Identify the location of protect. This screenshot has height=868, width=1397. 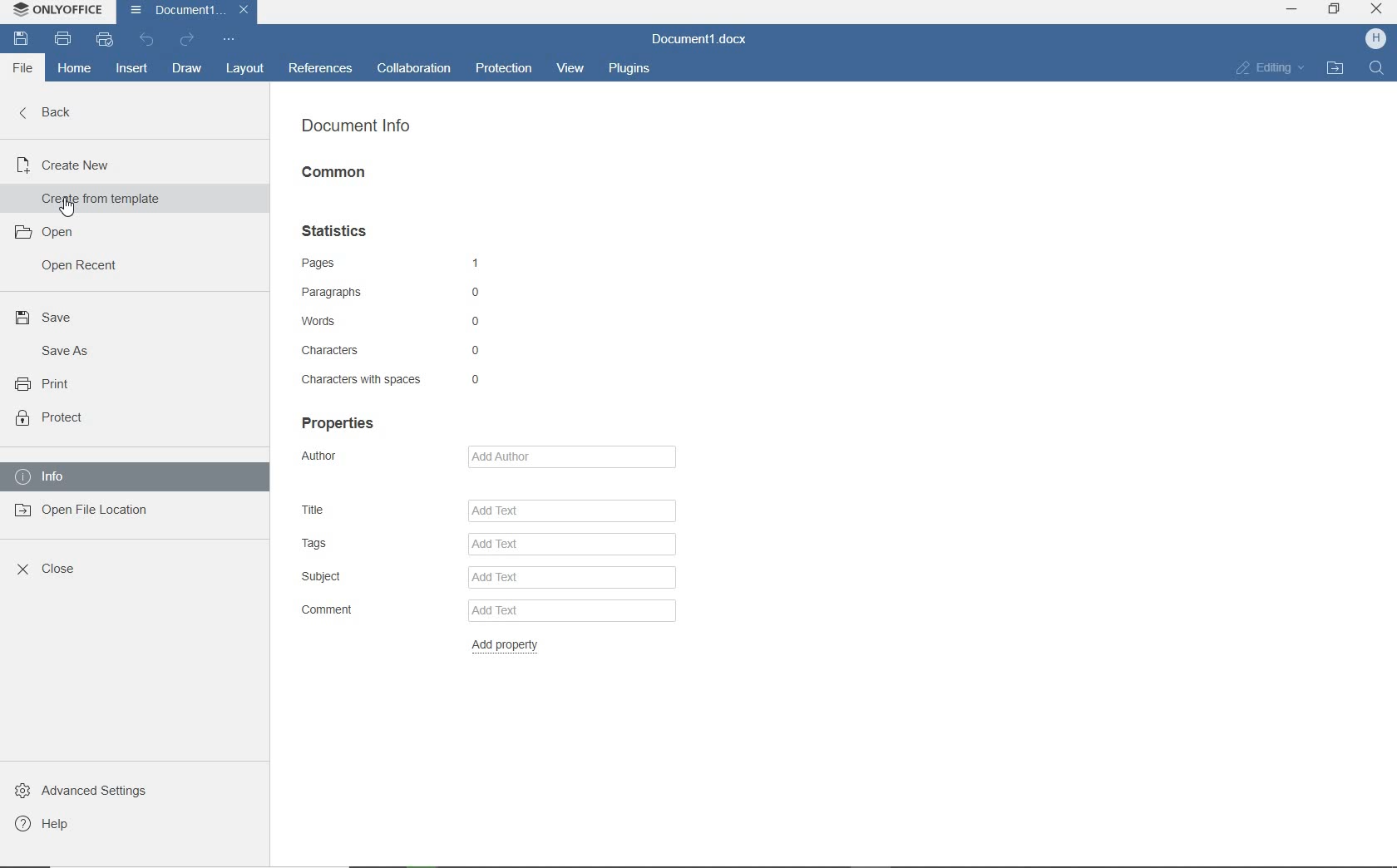
(51, 418).